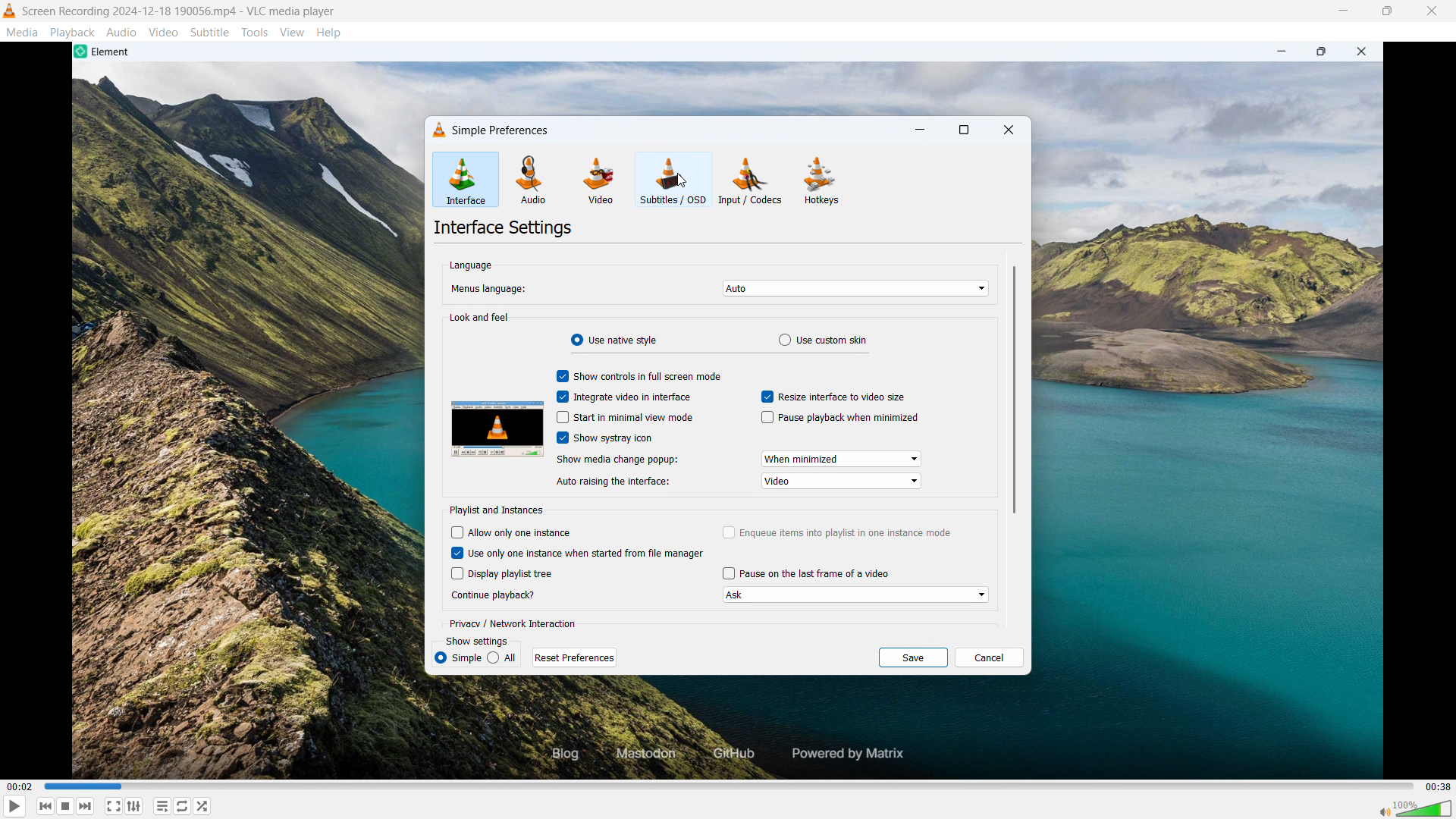 The image size is (1456, 819). I want to click on display playlist tree, so click(500, 573).